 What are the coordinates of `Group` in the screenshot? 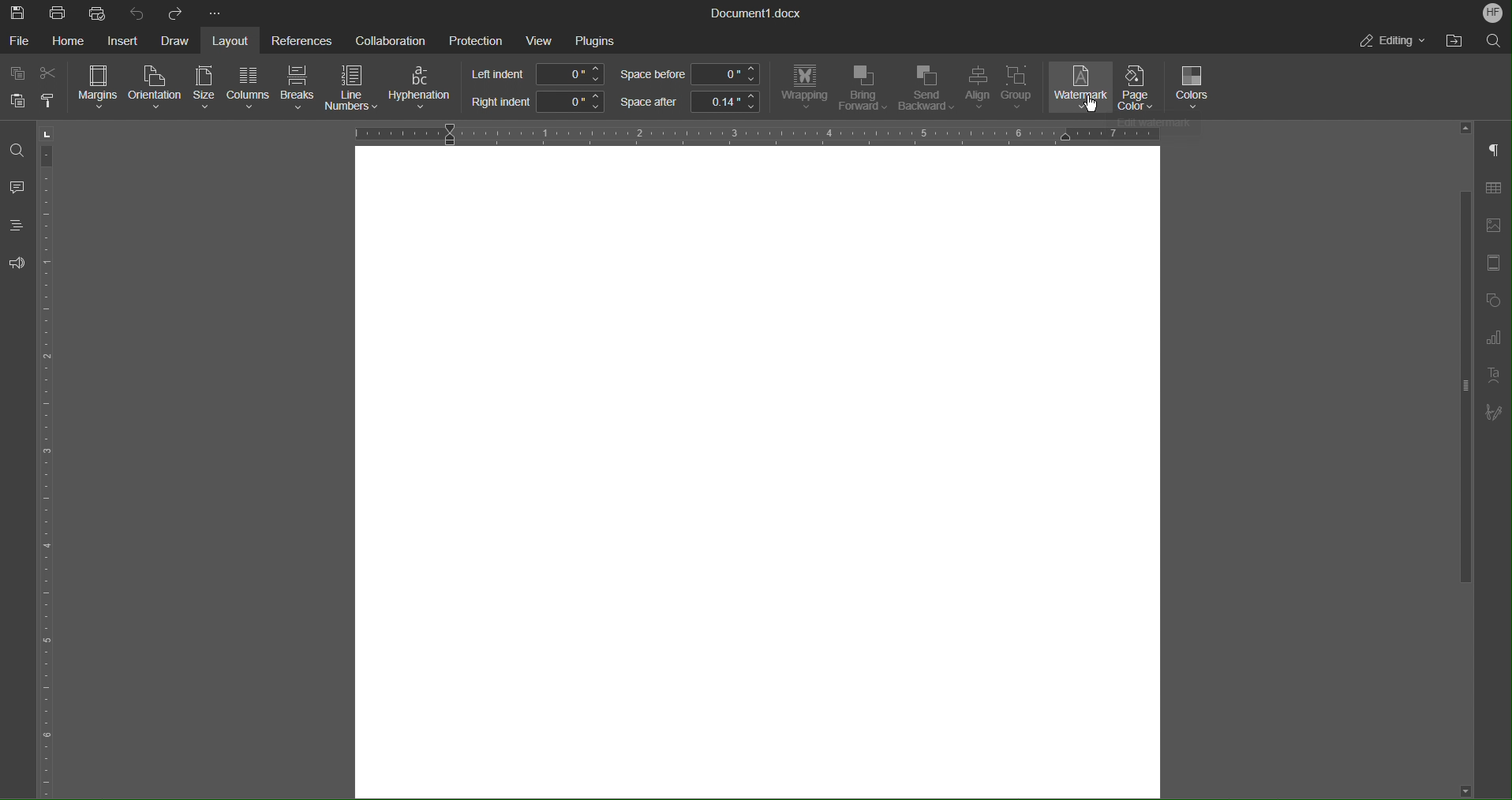 It's located at (1022, 90).